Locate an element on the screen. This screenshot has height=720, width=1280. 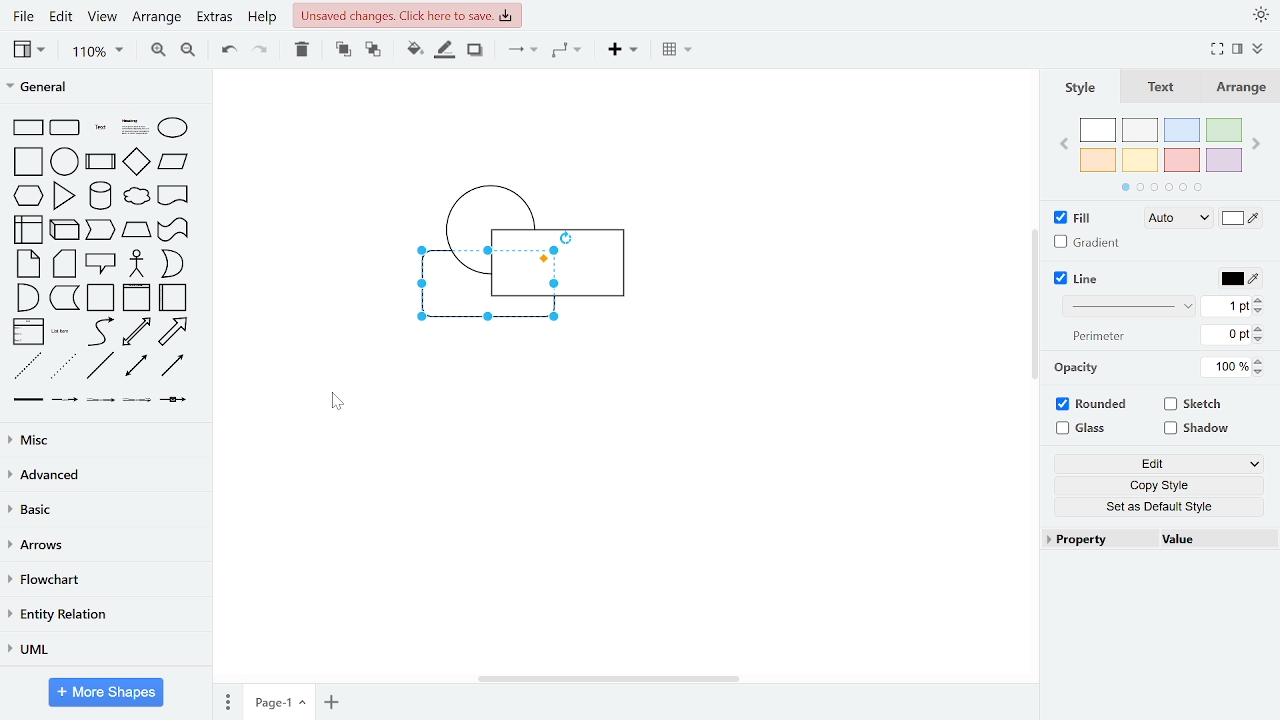
style is located at coordinates (1083, 89).